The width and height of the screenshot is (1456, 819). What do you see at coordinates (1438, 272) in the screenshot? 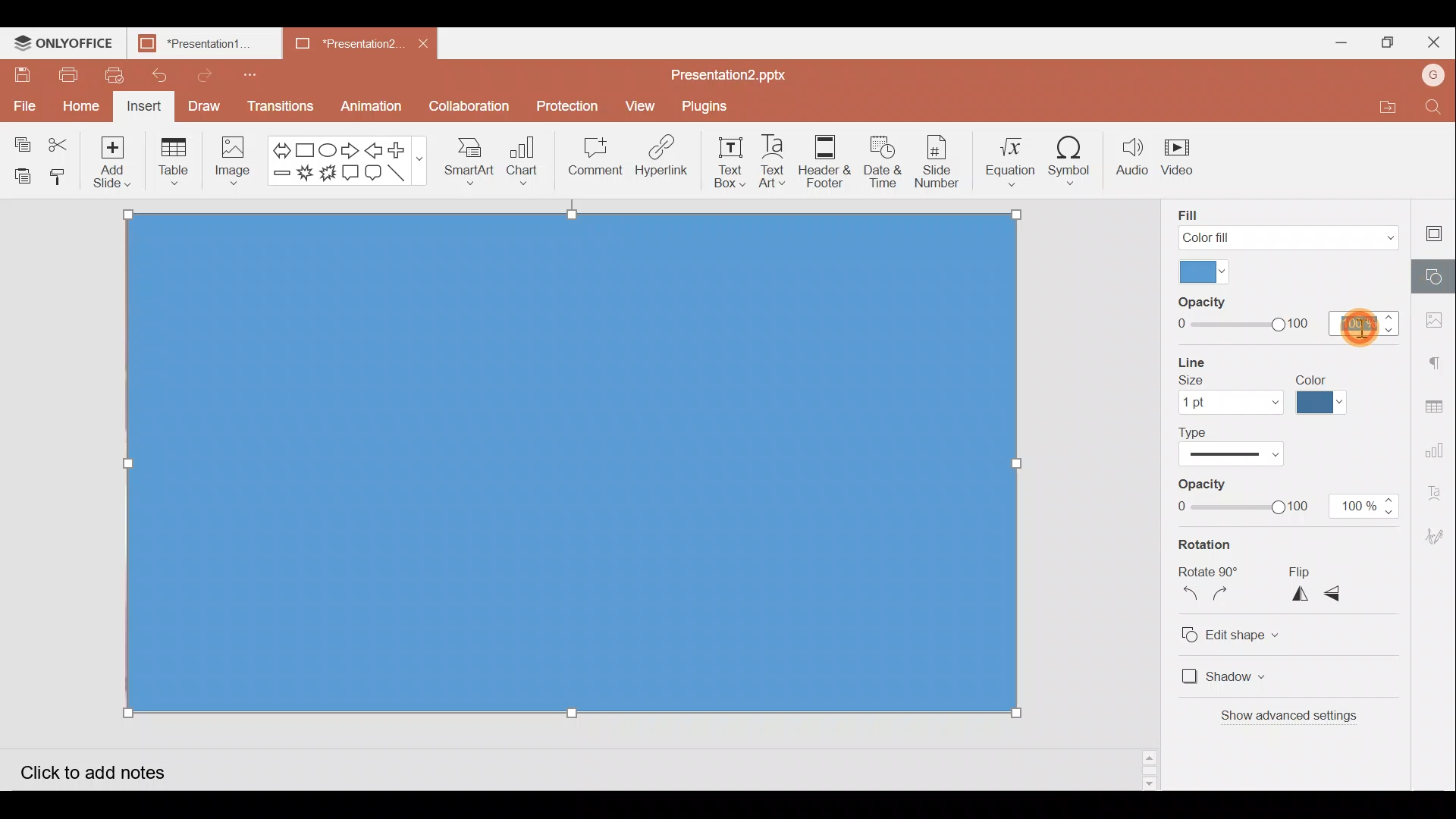
I see `Shape settings` at bounding box center [1438, 272].